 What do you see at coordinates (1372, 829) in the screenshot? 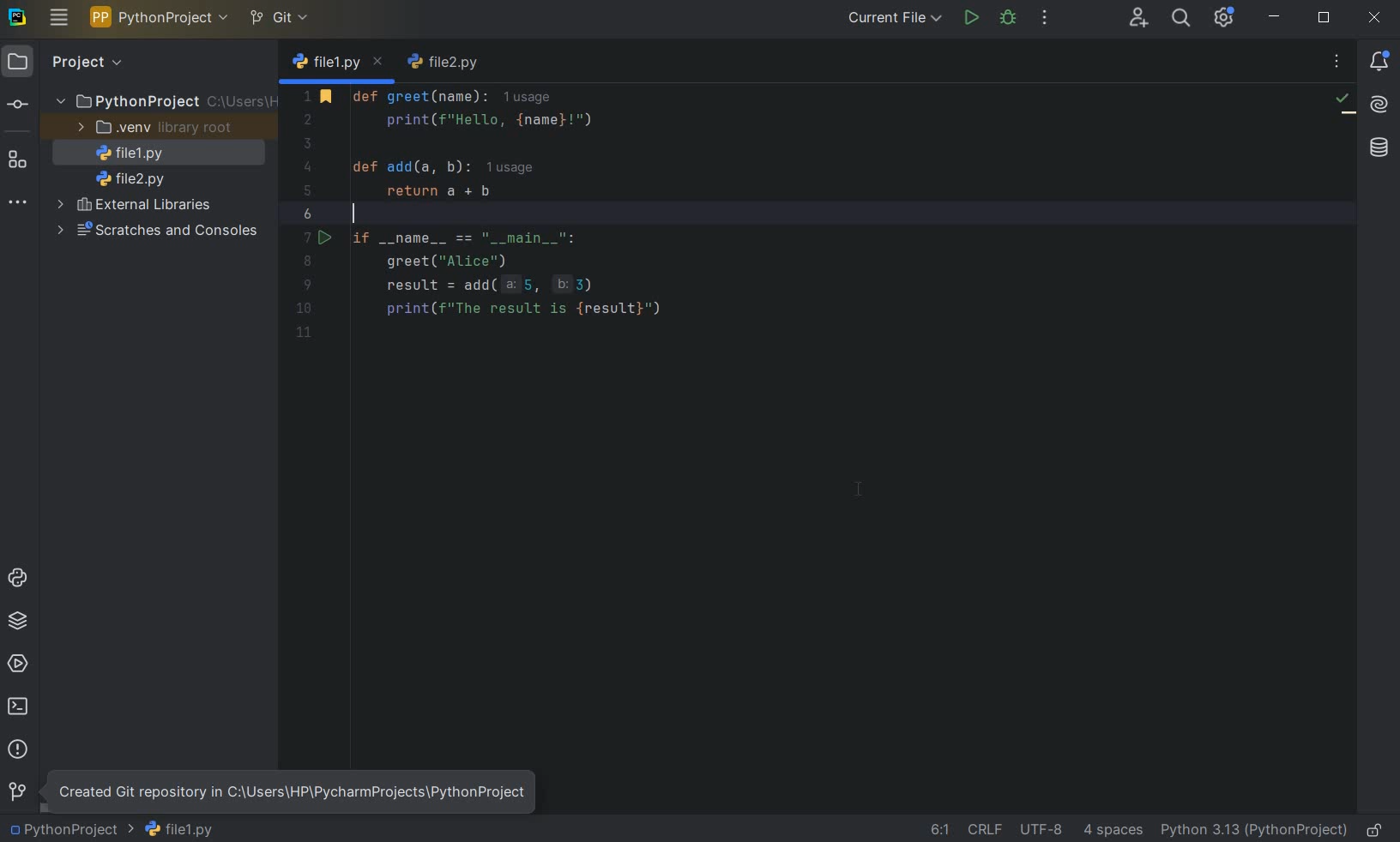
I see `make file ready only` at bounding box center [1372, 829].